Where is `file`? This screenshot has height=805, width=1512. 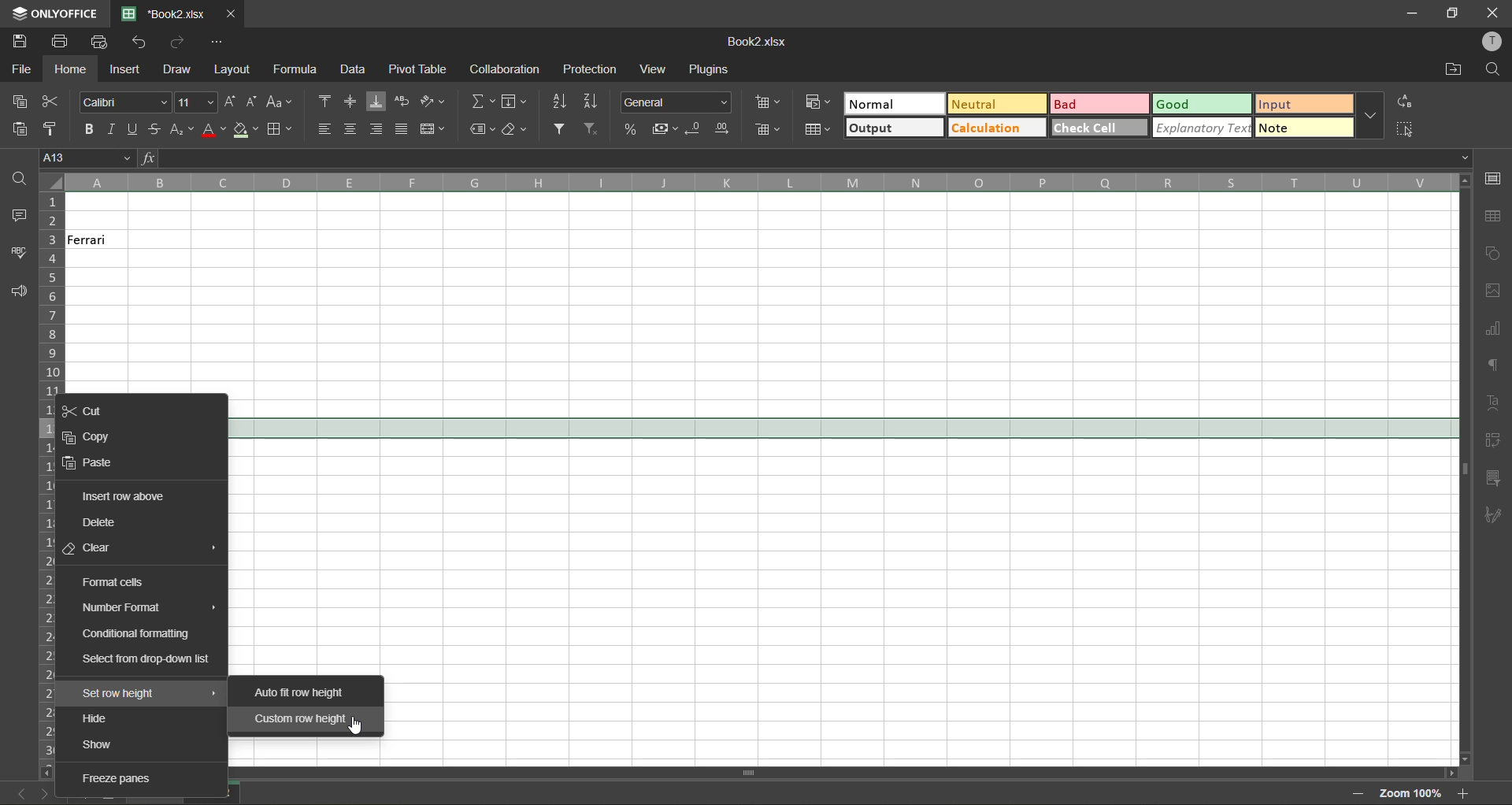 file is located at coordinates (23, 69).